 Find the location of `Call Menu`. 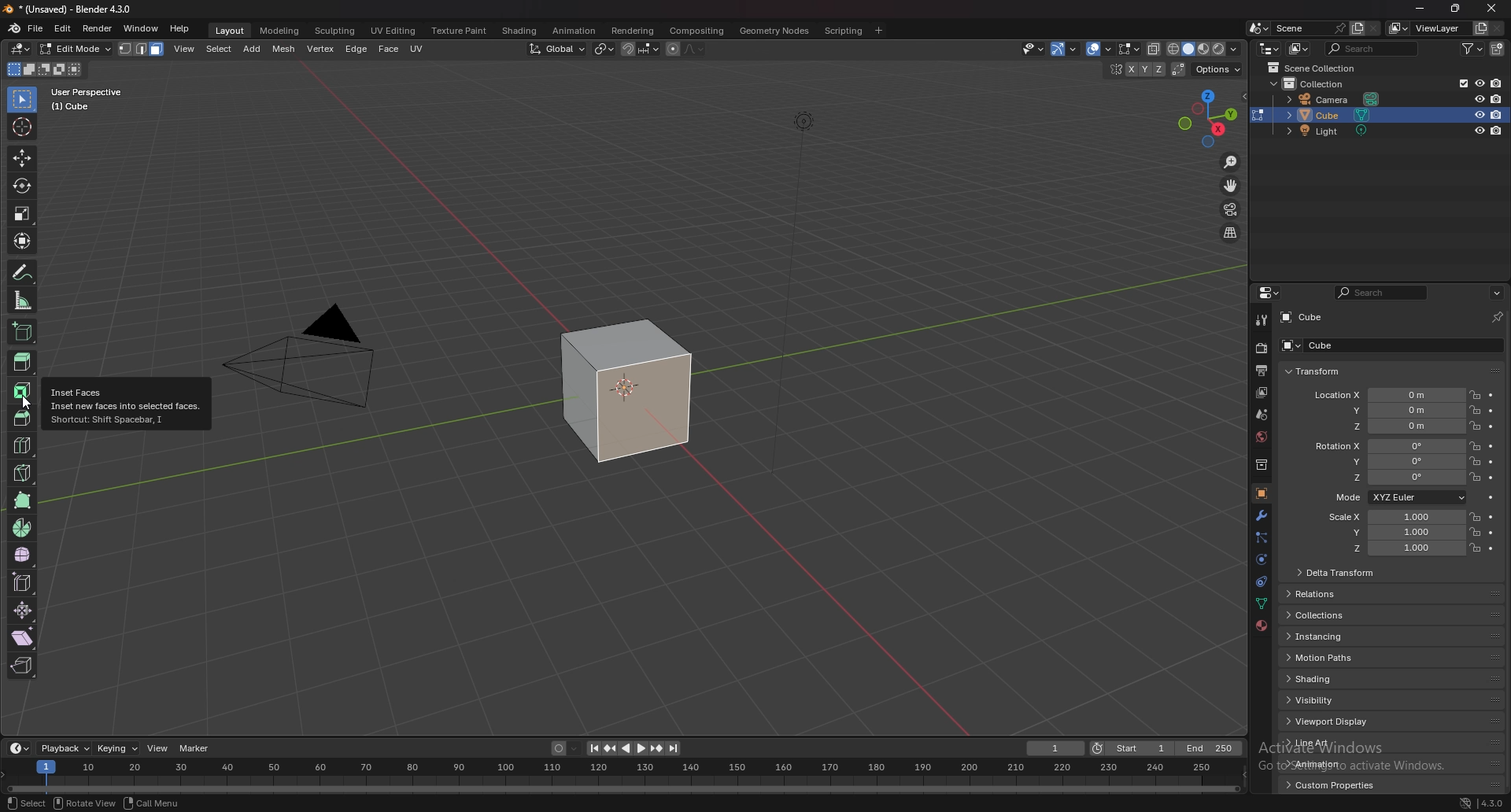

Call Menu is located at coordinates (152, 803).